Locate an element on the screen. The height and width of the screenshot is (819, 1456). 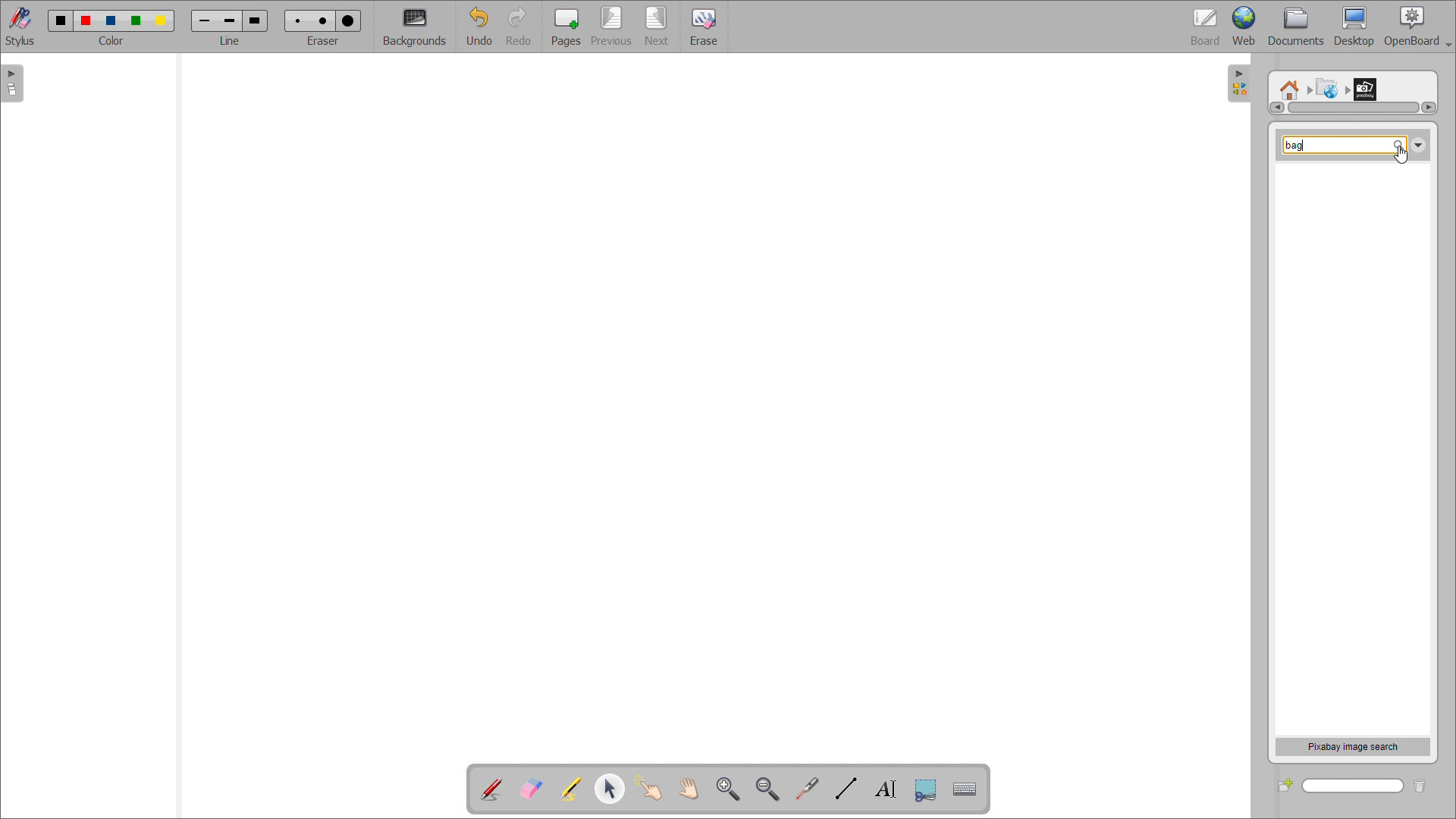
scroll right is located at coordinates (1428, 107).